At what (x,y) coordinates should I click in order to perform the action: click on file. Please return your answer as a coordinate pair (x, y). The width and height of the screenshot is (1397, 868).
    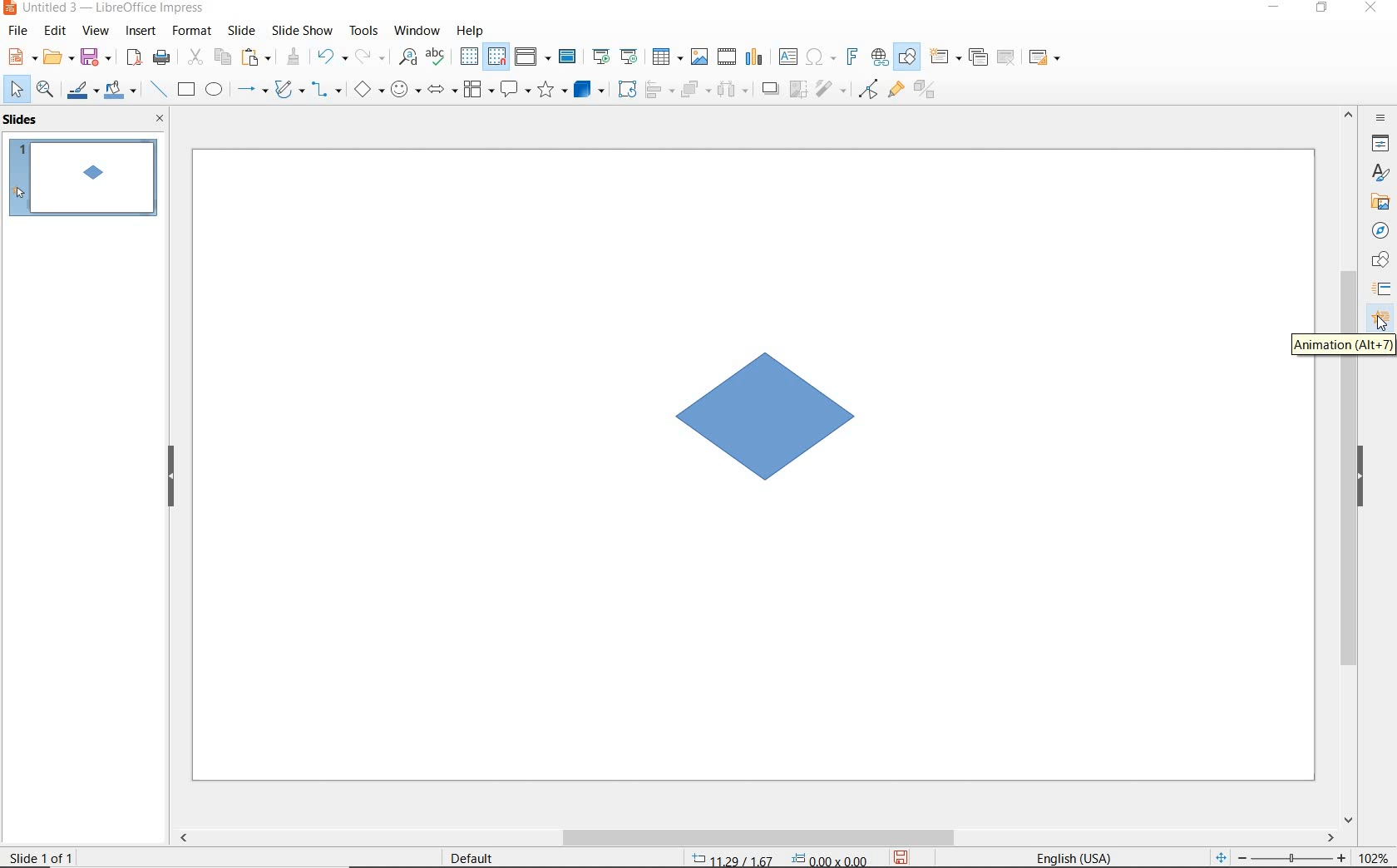
    Looking at the image, I should click on (20, 31).